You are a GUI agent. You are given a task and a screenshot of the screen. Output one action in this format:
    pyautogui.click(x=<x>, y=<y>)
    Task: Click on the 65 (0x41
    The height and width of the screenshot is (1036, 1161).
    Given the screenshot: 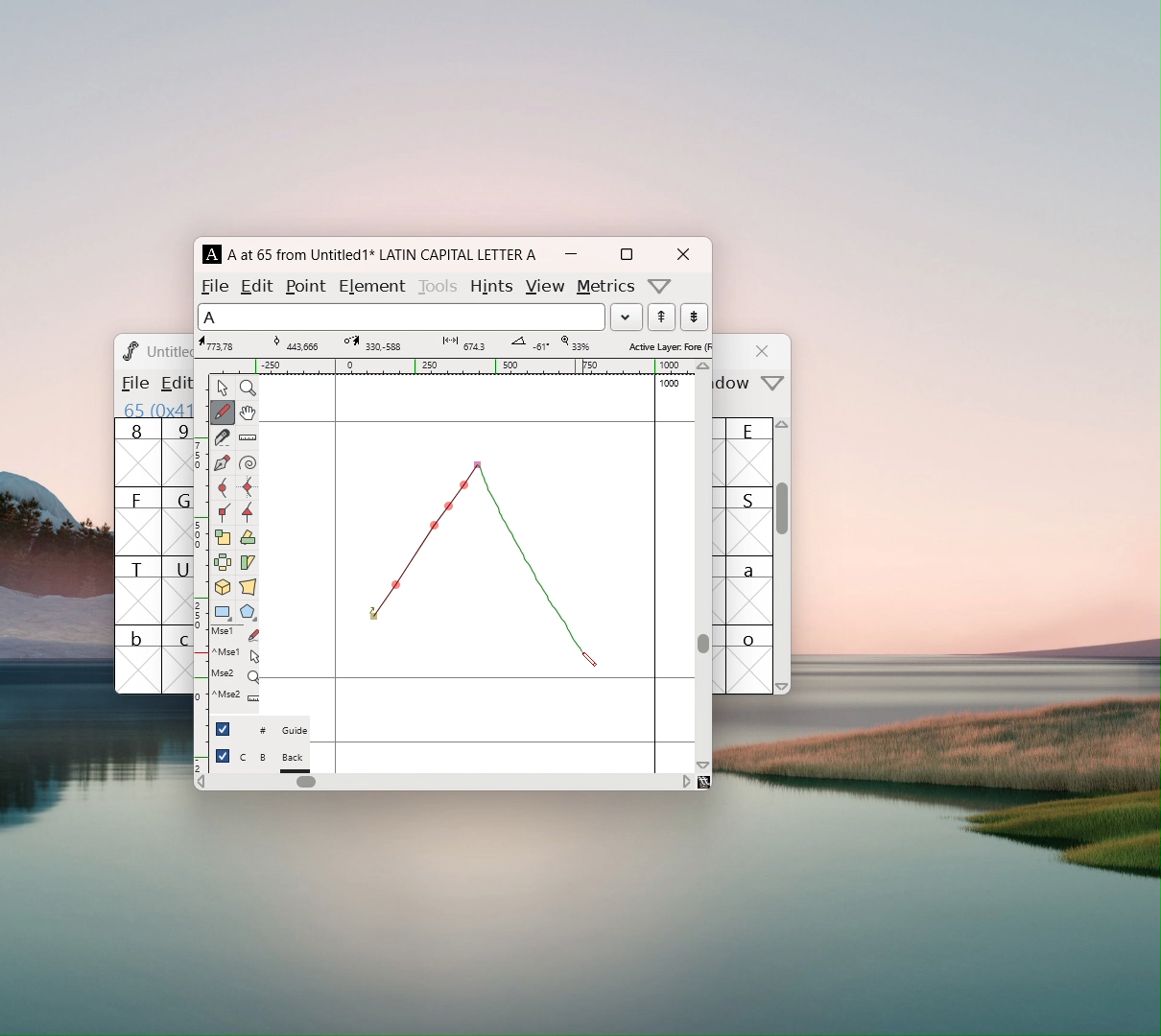 What is the action you would take?
    pyautogui.click(x=154, y=409)
    